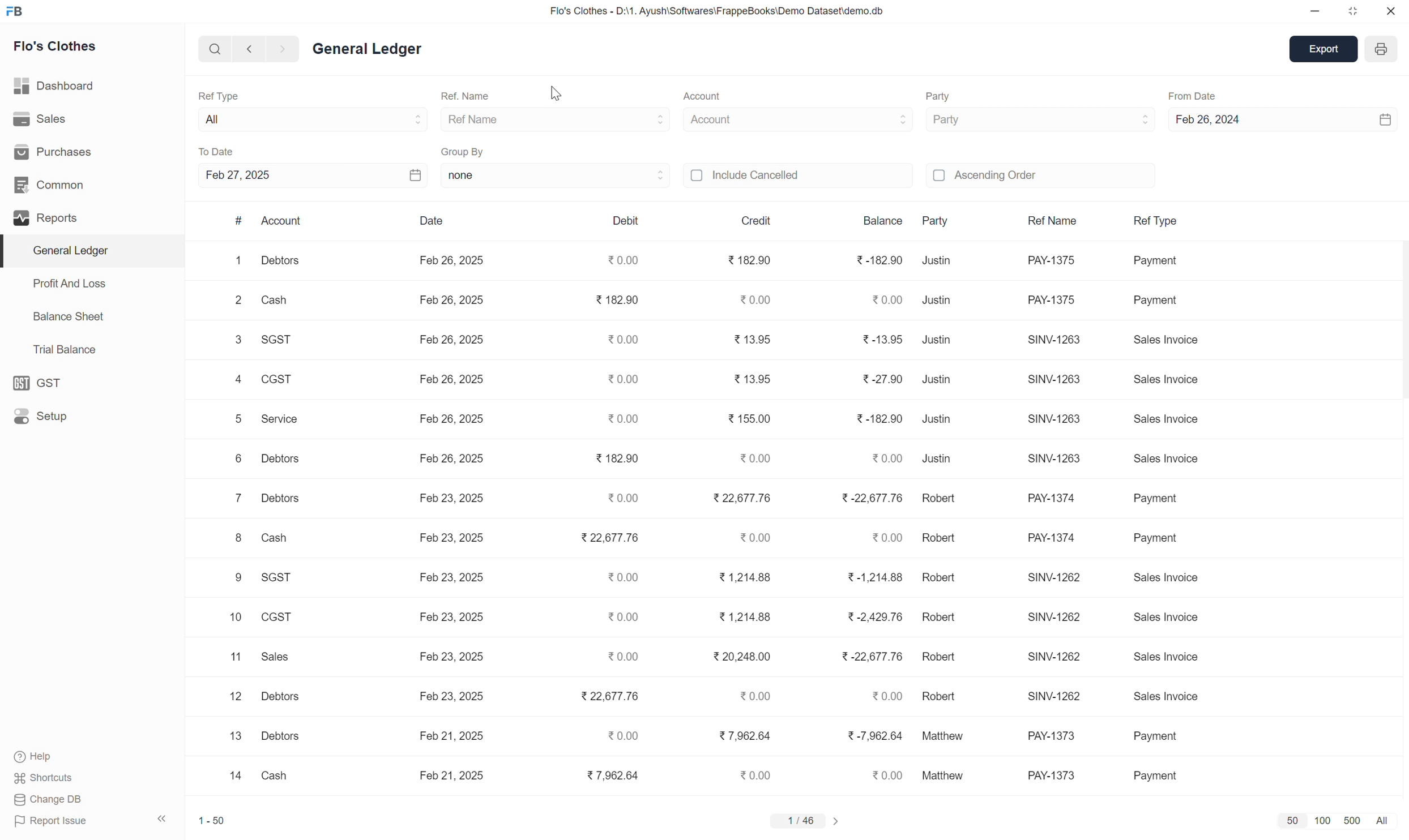  I want to click on SINV-1262, so click(1054, 657).